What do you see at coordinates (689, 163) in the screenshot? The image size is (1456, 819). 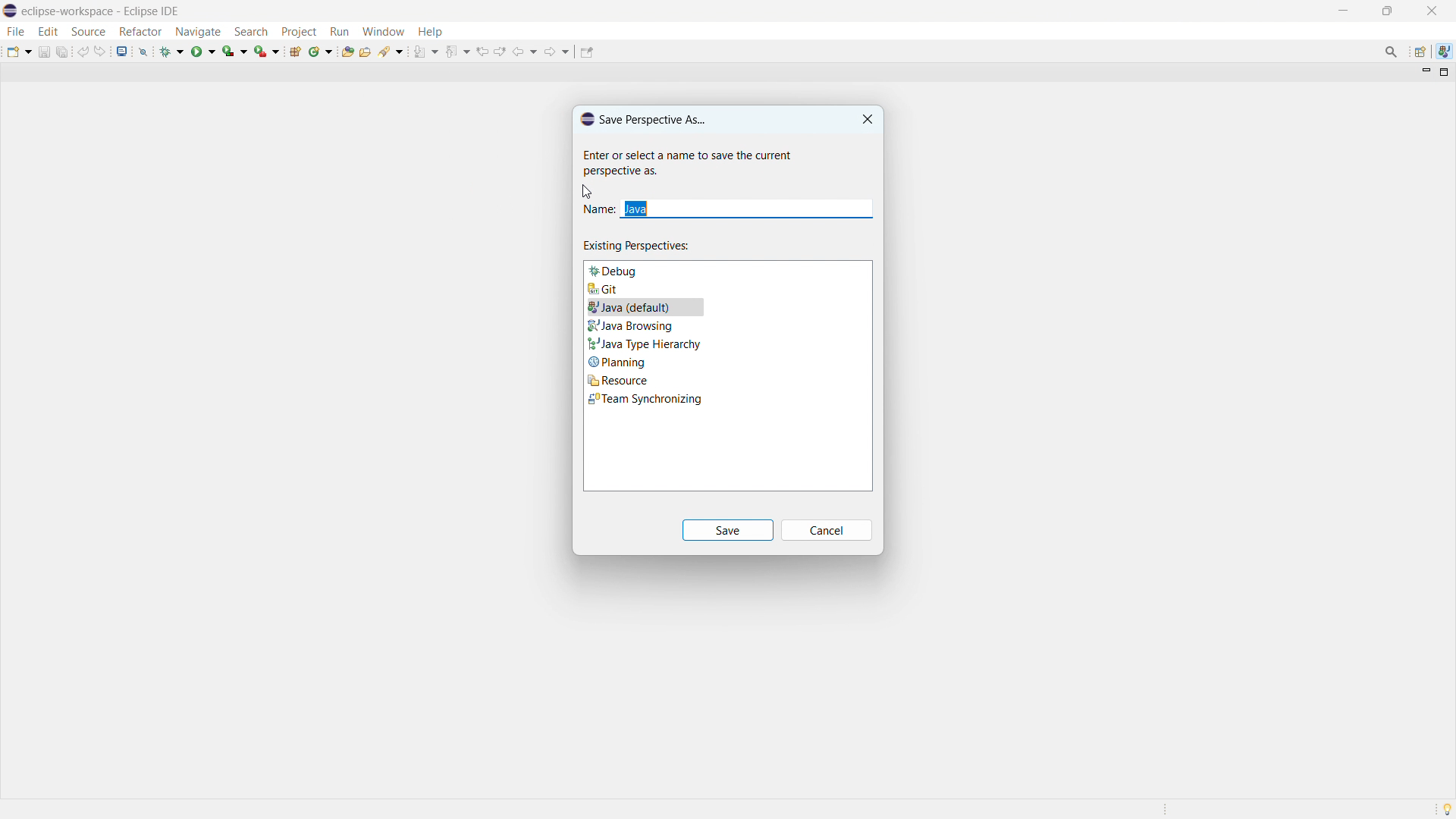 I see `Help tip` at bounding box center [689, 163].